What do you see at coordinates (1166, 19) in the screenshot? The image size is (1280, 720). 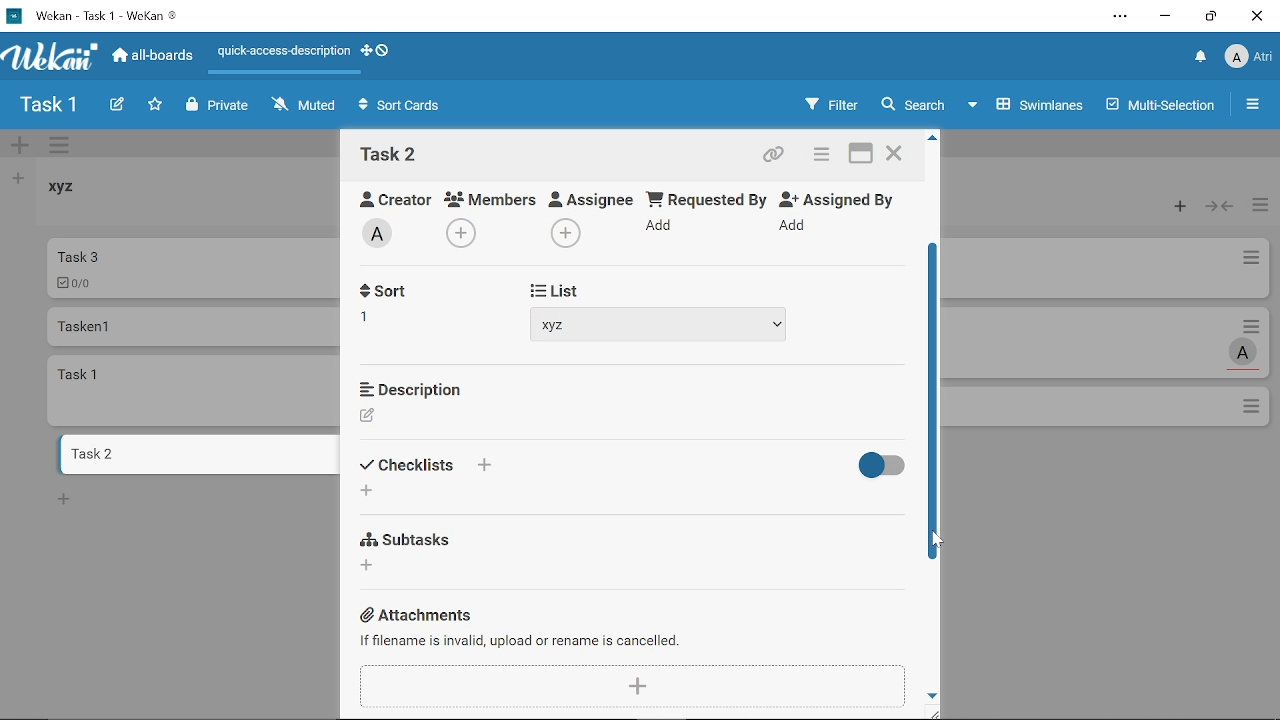 I see `Minimize` at bounding box center [1166, 19].